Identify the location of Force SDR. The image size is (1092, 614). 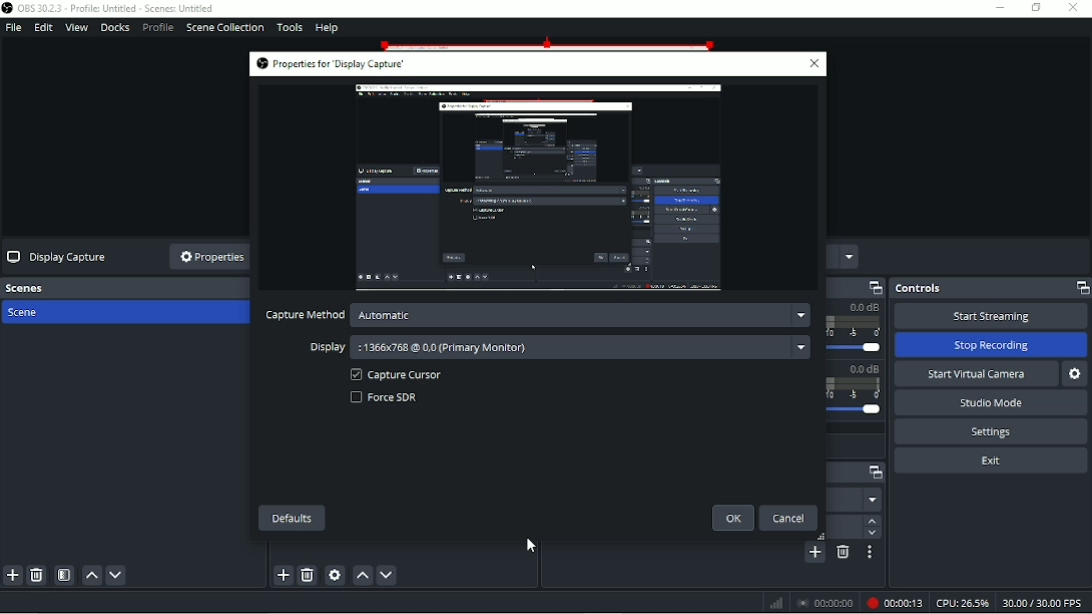
(383, 398).